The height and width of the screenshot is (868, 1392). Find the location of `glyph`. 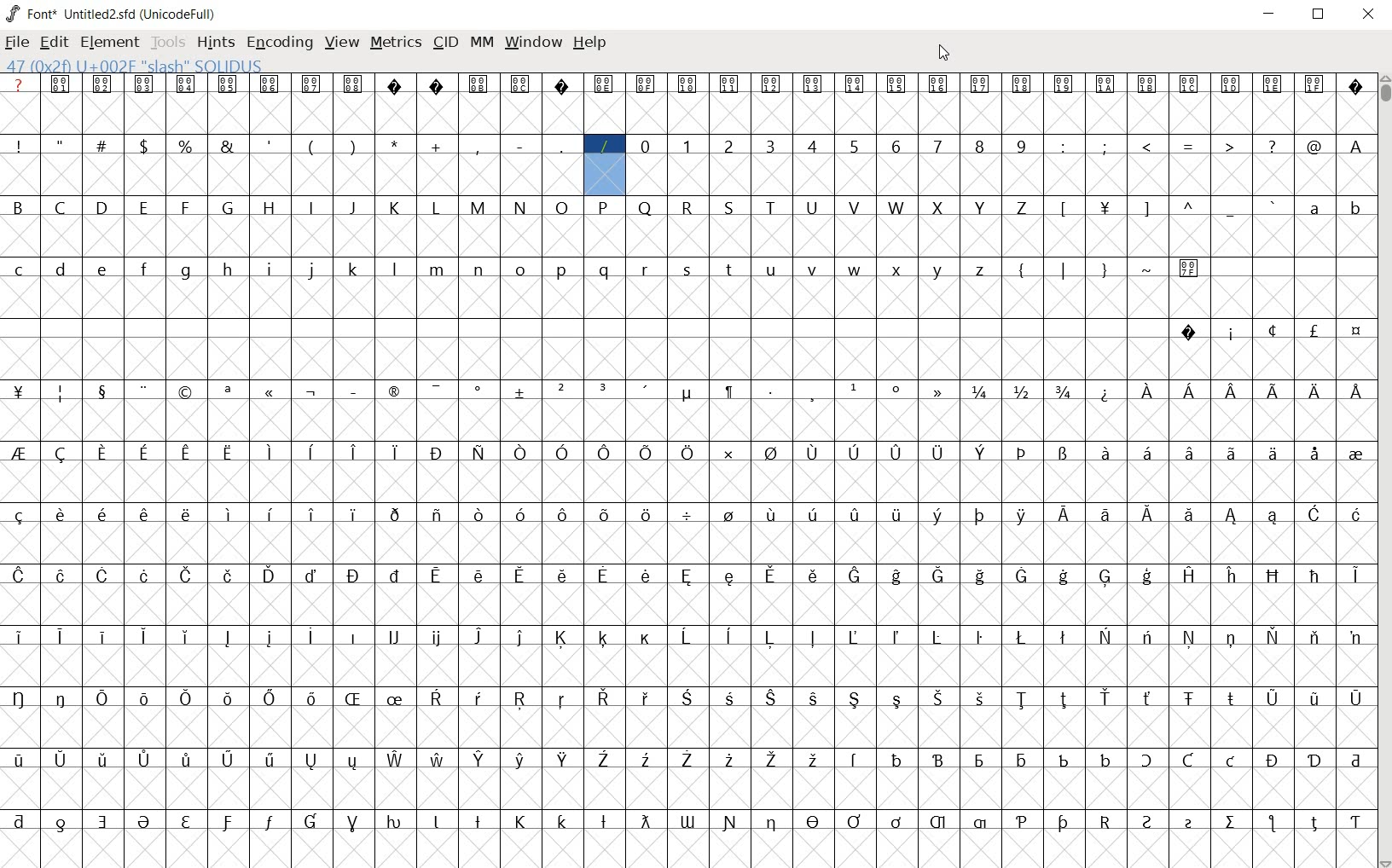

glyph is located at coordinates (143, 822).